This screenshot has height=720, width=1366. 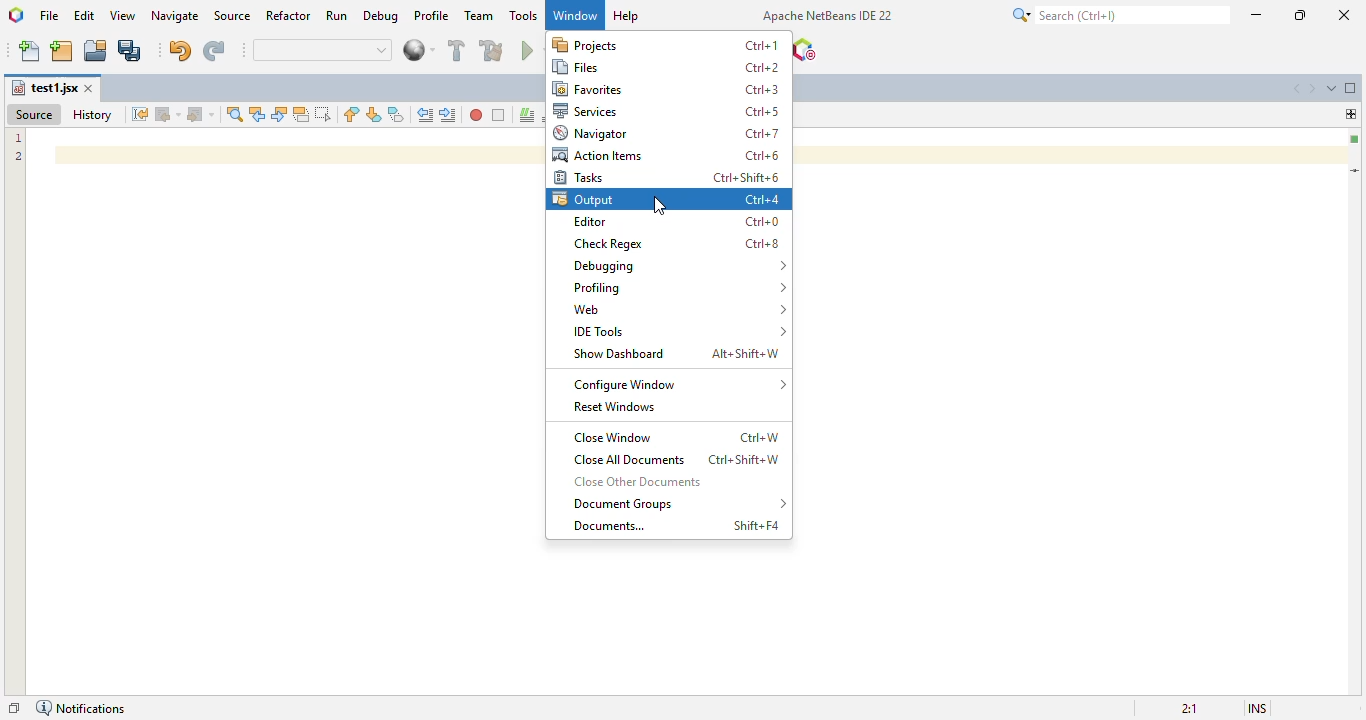 What do you see at coordinates (666, 45) in the screenshot?
I see `Projects Ctrl + 1` at bounding box center [666, 45].